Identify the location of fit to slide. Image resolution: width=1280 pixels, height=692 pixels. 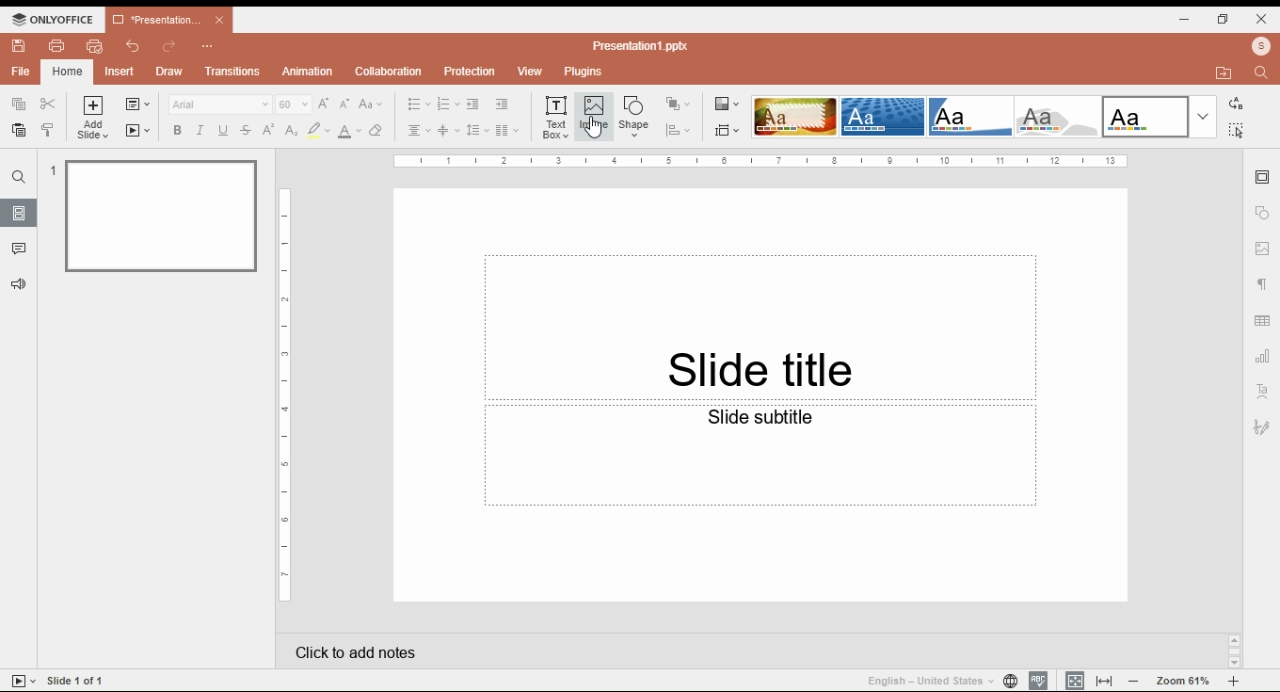
(1074, 680).